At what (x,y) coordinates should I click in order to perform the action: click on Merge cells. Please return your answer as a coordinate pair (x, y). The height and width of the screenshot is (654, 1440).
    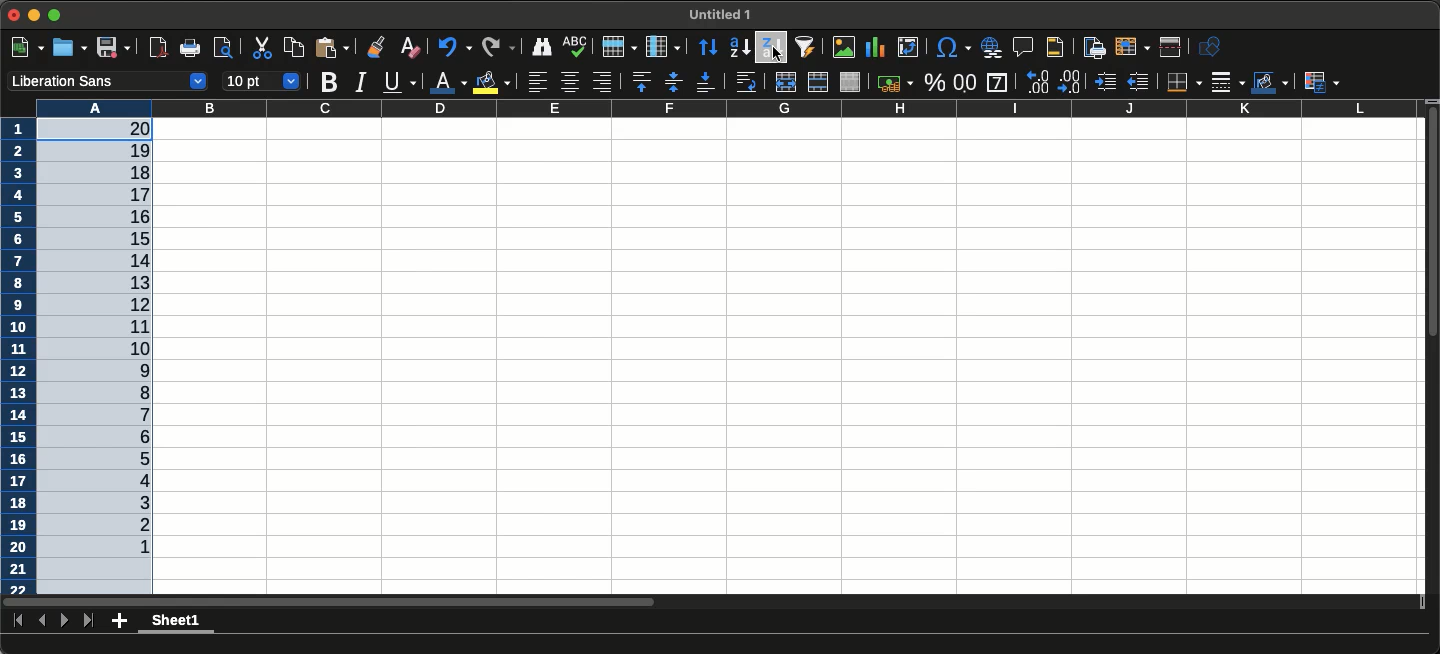
    Looking at the image, I should click on (818, 82).